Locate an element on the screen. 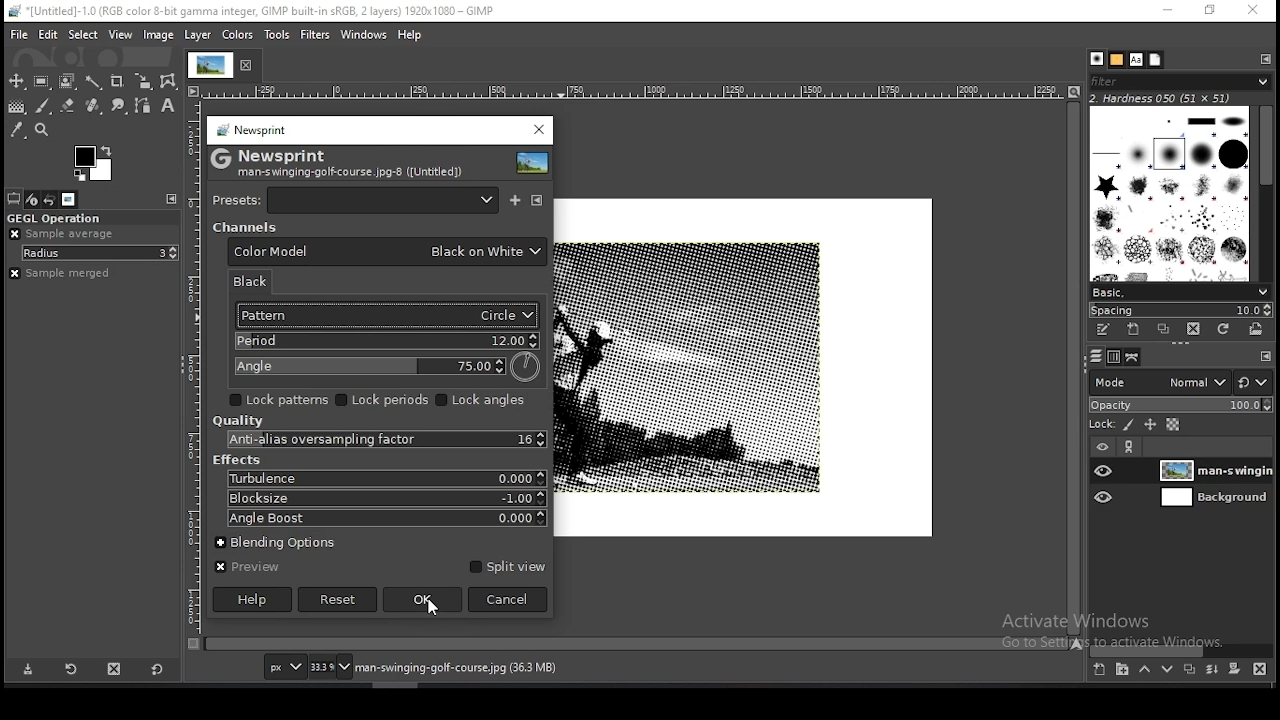 Image resolution: width=1280 pixels, height=720 pixels. move layer one step up is located at coordinates (1144, 669).